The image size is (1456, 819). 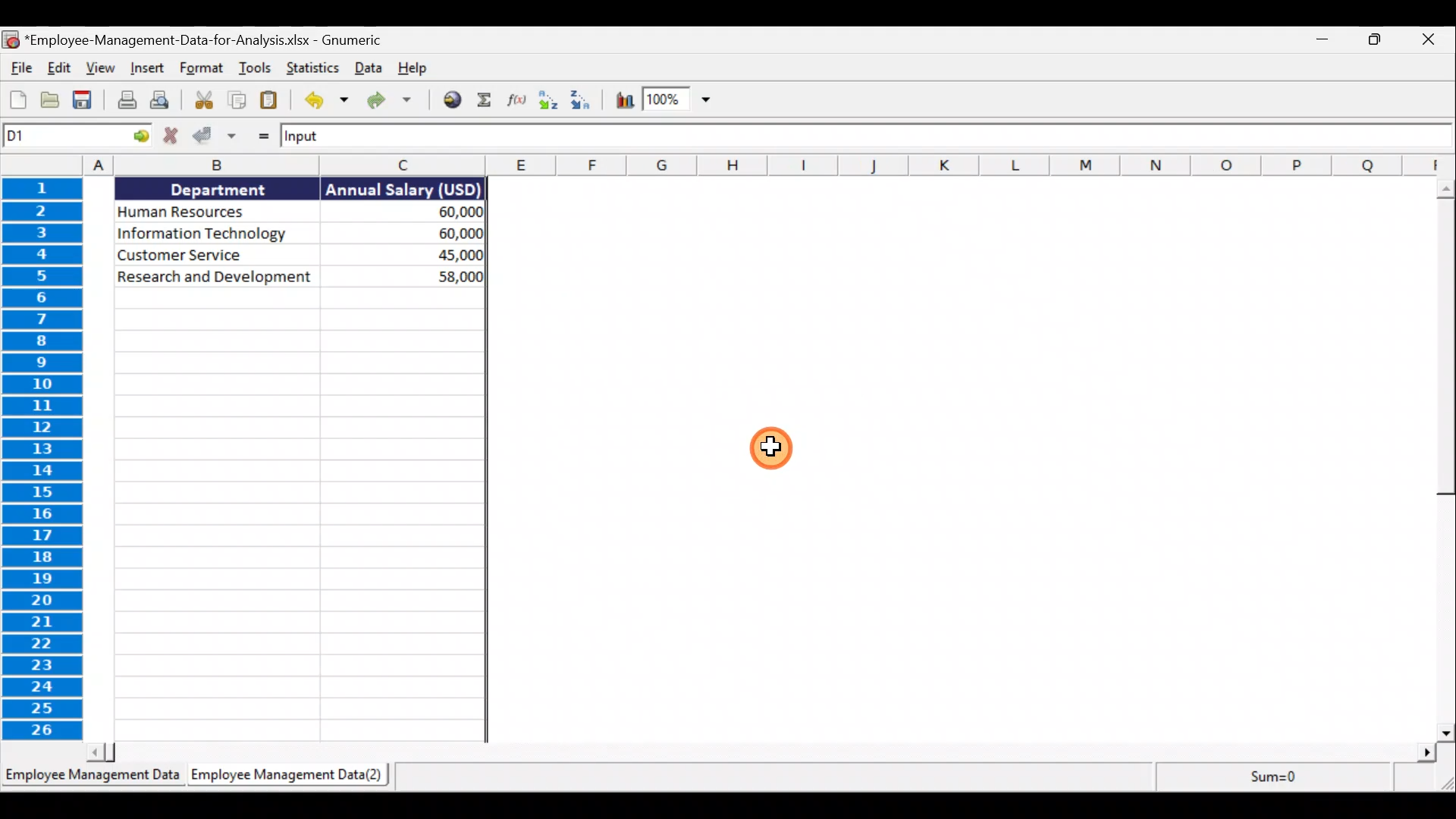 What do you see at coordinates (780, 448) in the screenshot?
I see `Cursor` at bounding box center [780, 448].